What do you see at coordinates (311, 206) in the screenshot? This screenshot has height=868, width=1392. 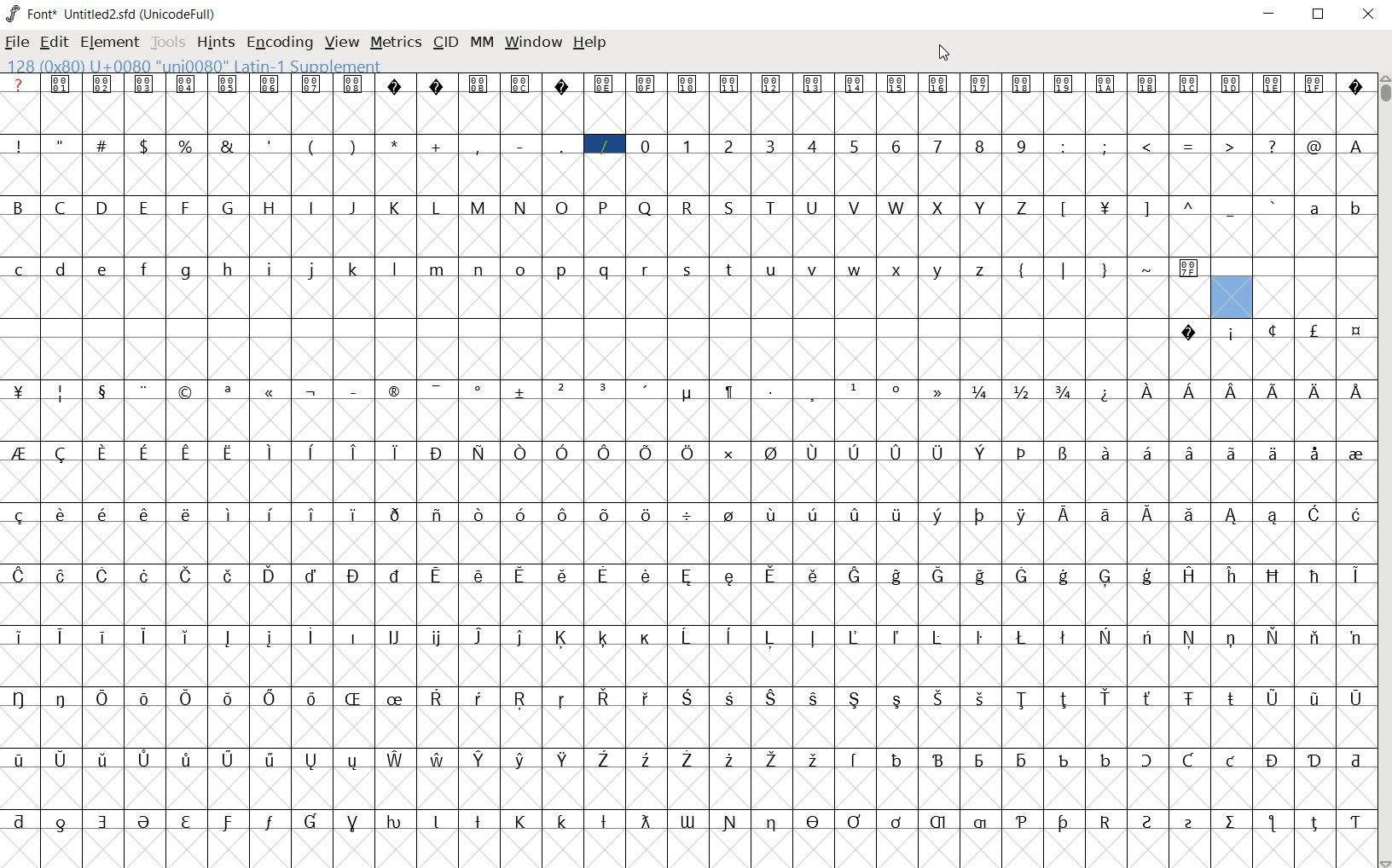 I see `glyph` at bounding box center [311, 206].